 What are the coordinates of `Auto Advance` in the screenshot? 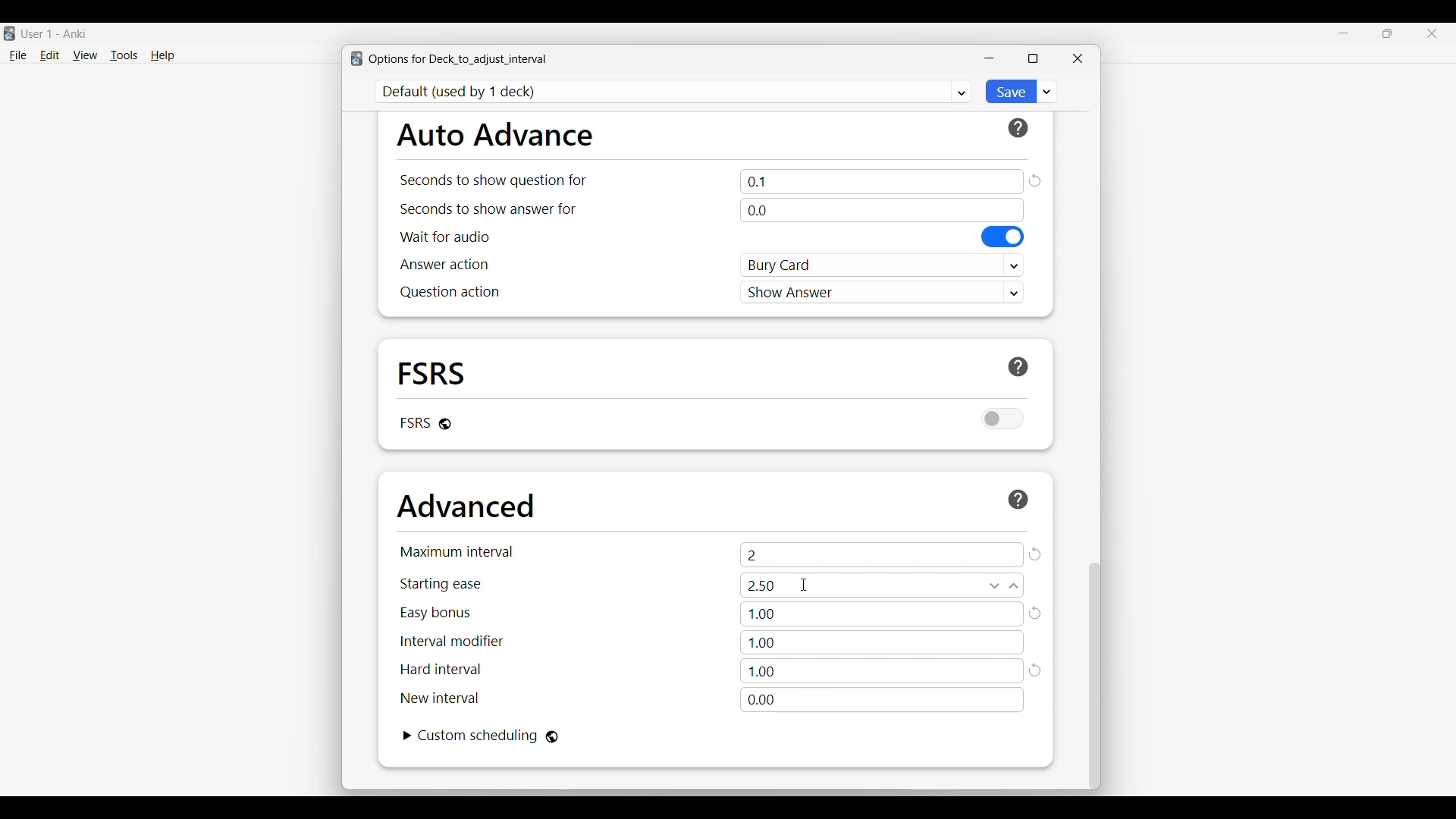 It's located at (494, 134).